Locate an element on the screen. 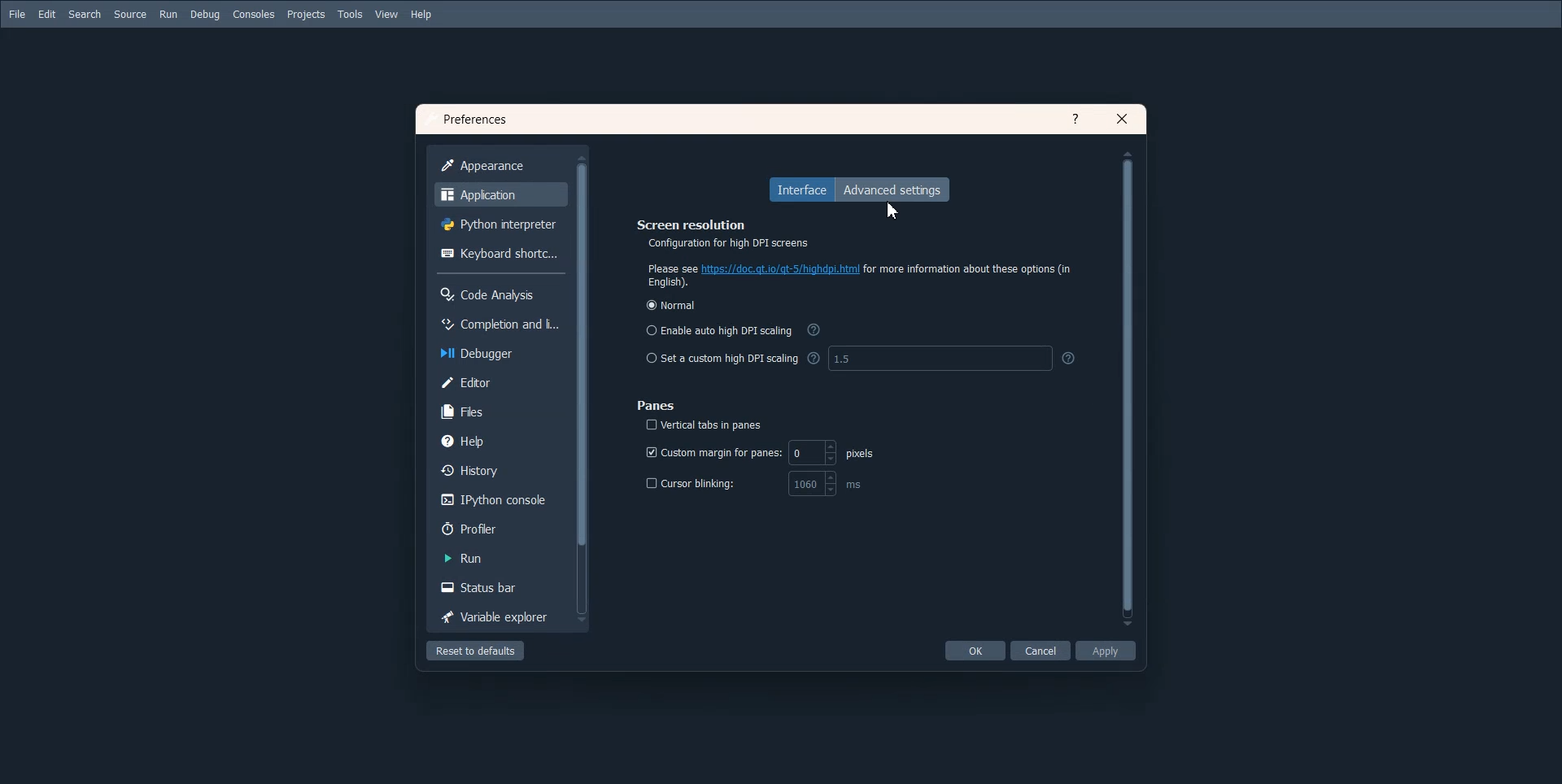 The width and height of the screenshot is (1562, 784). Advanced settings is located at coordinates (896, 190).